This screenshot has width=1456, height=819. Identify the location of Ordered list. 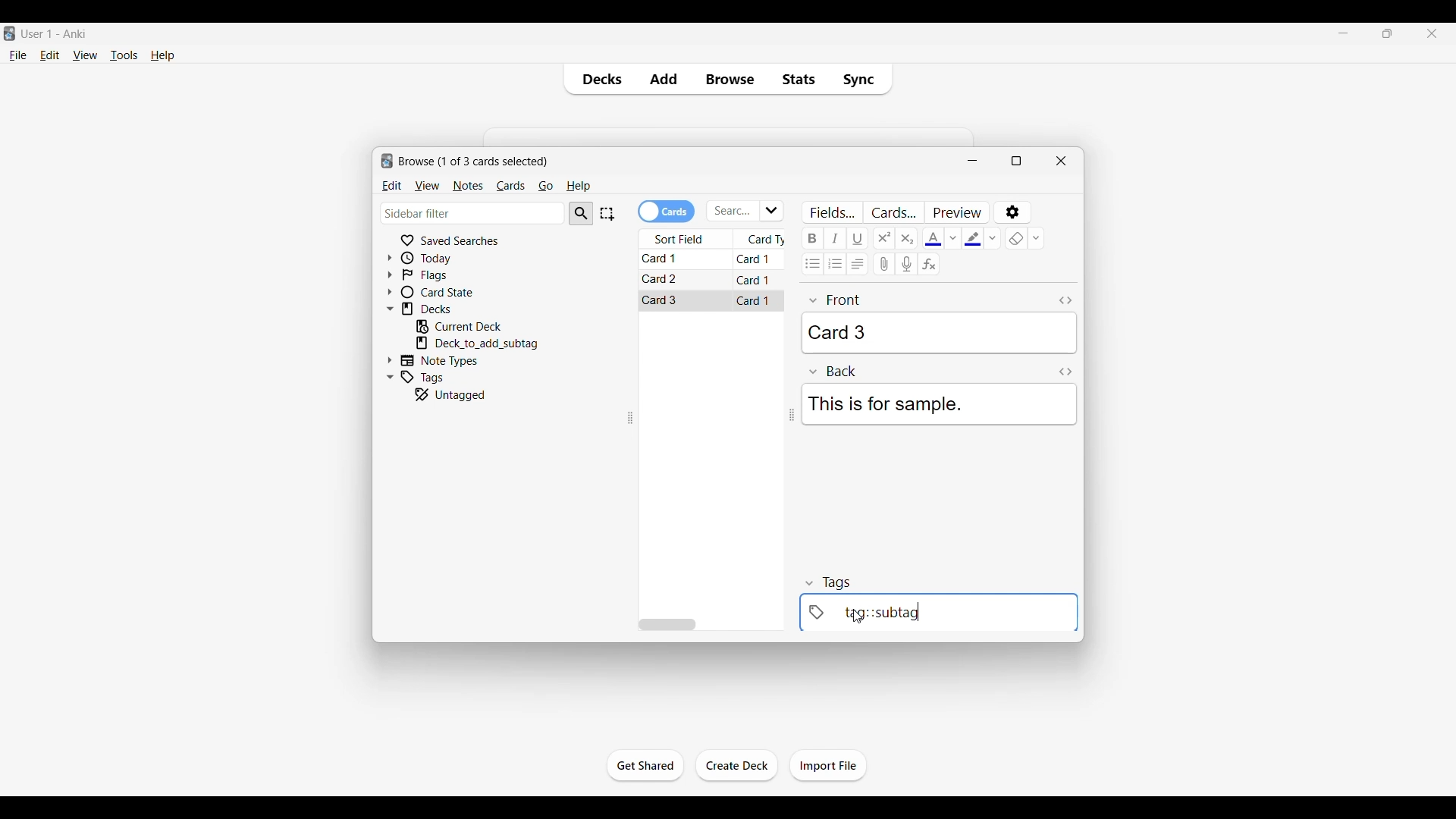
(834, 264).